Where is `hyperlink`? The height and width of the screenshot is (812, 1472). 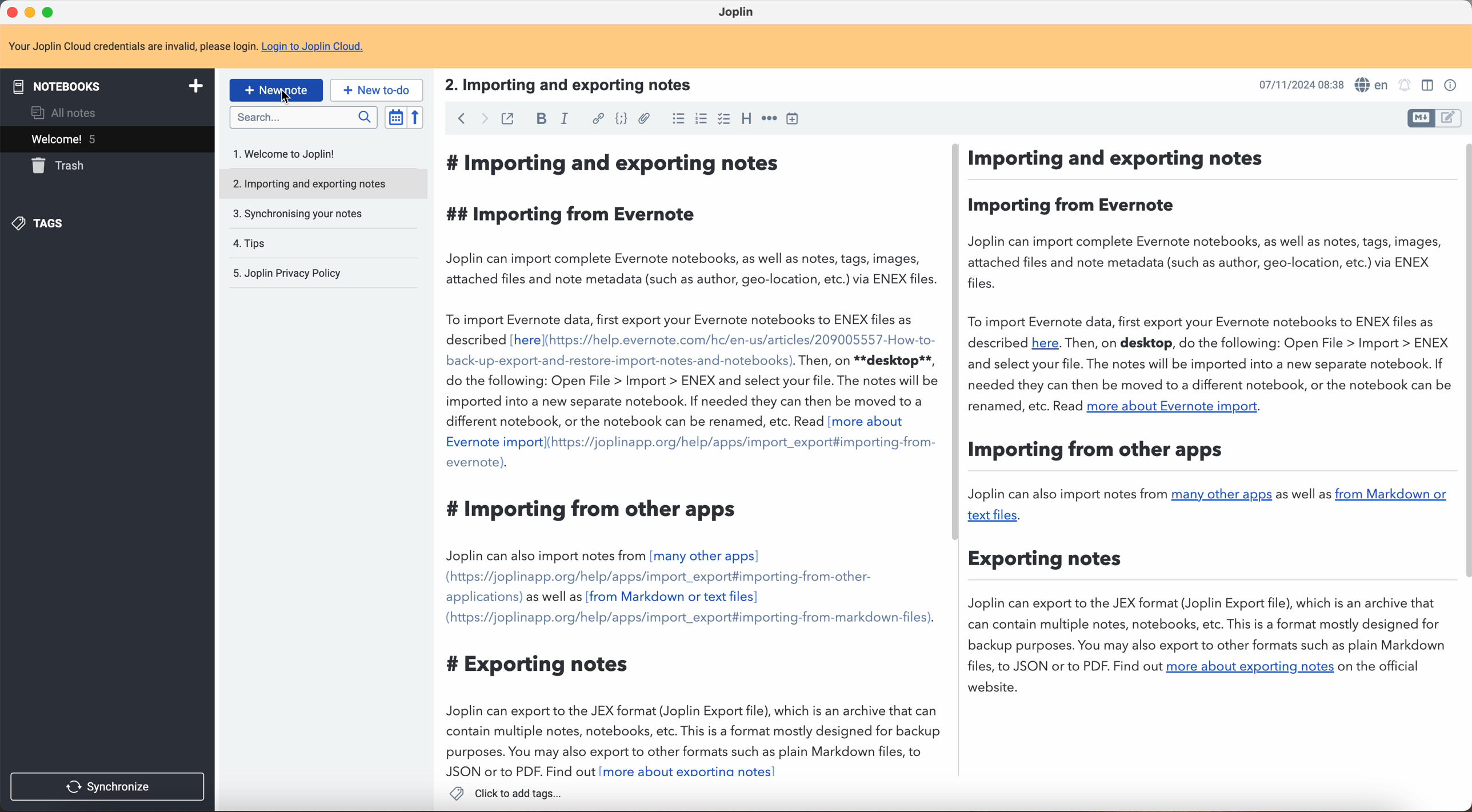 hyperlink is located at coordinates (597, 119).